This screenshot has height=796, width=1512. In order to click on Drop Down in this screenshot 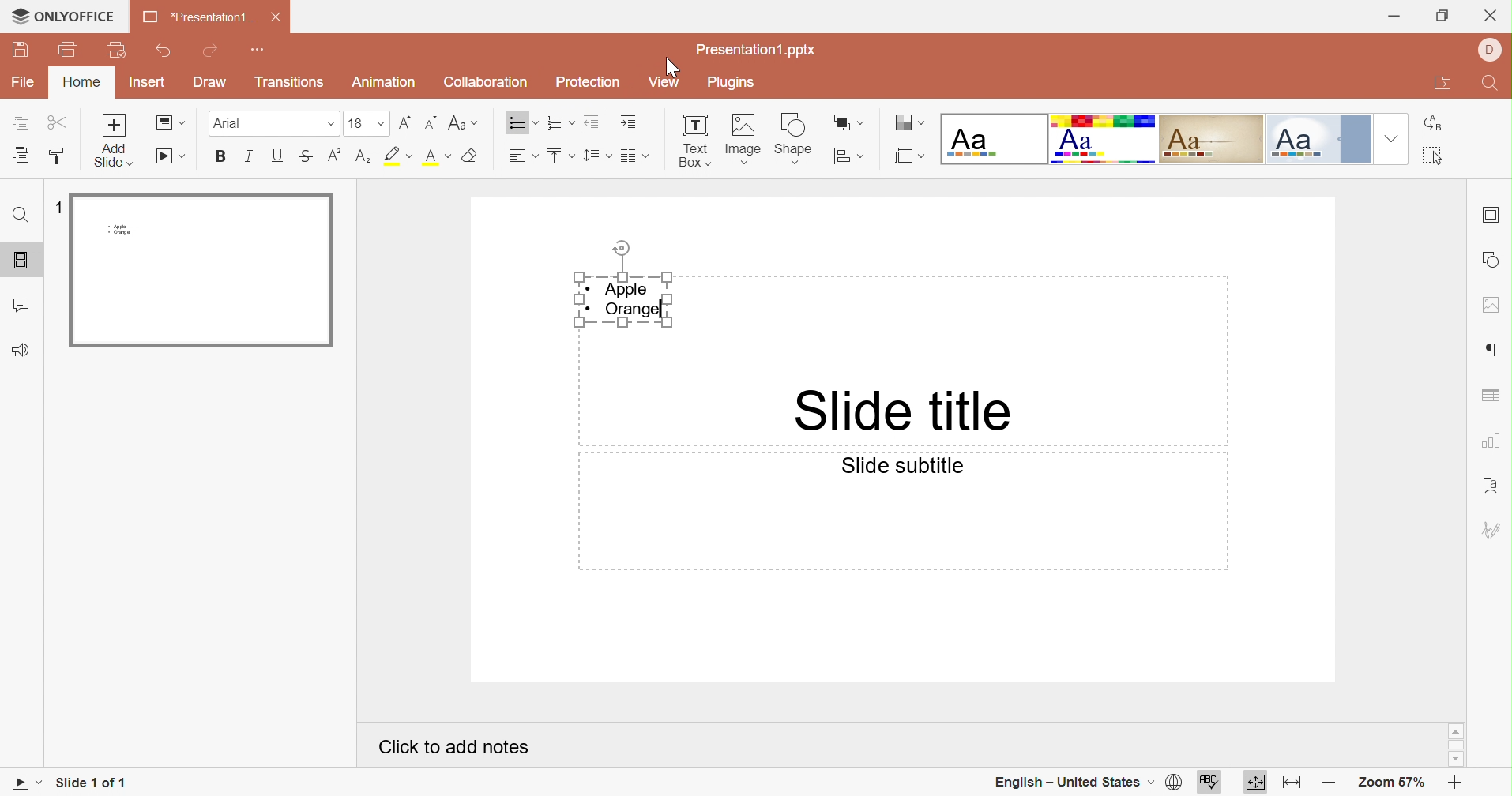, I will do `click(1390, 138)`.